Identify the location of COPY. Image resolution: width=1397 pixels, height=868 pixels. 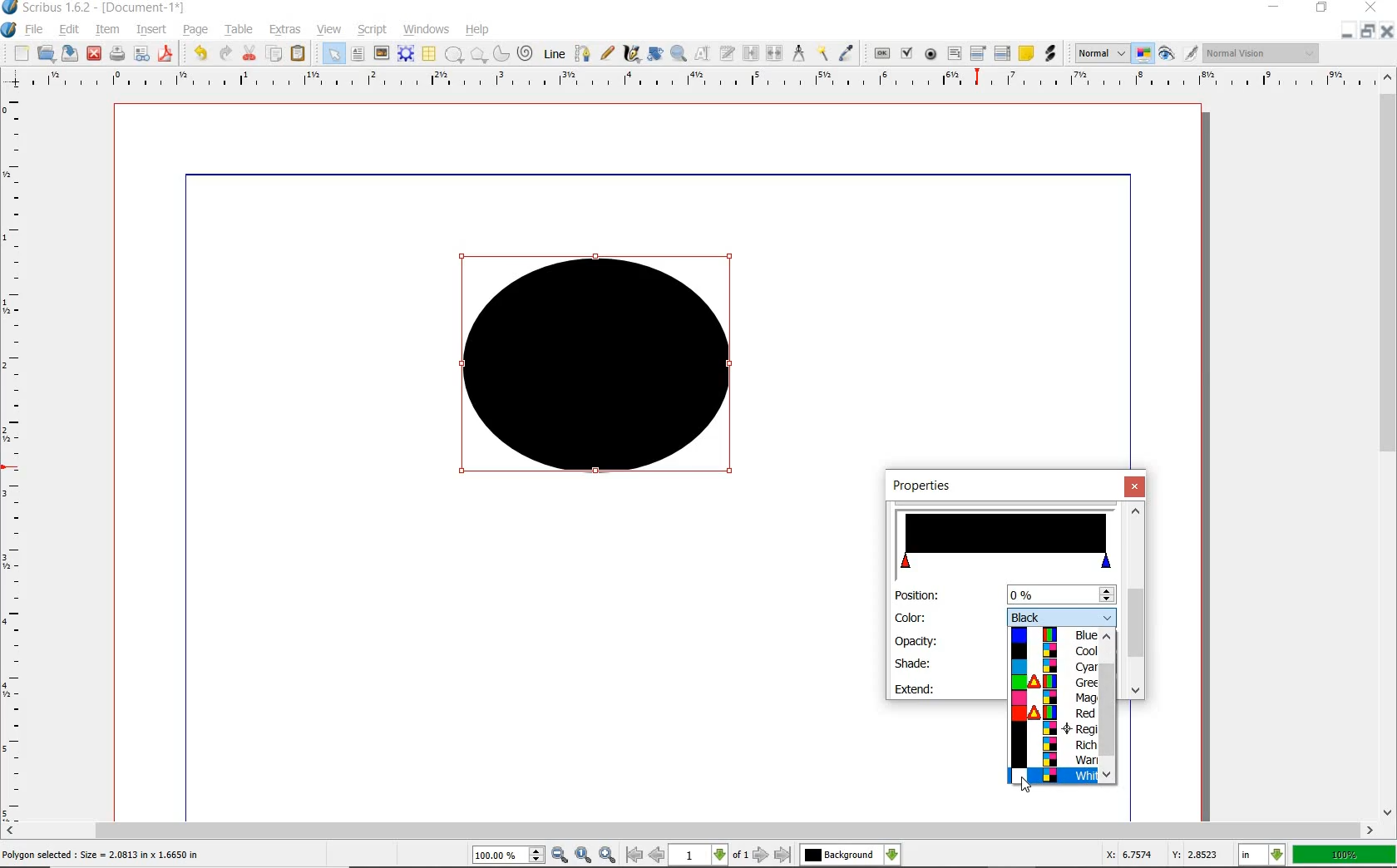
(276, 54).